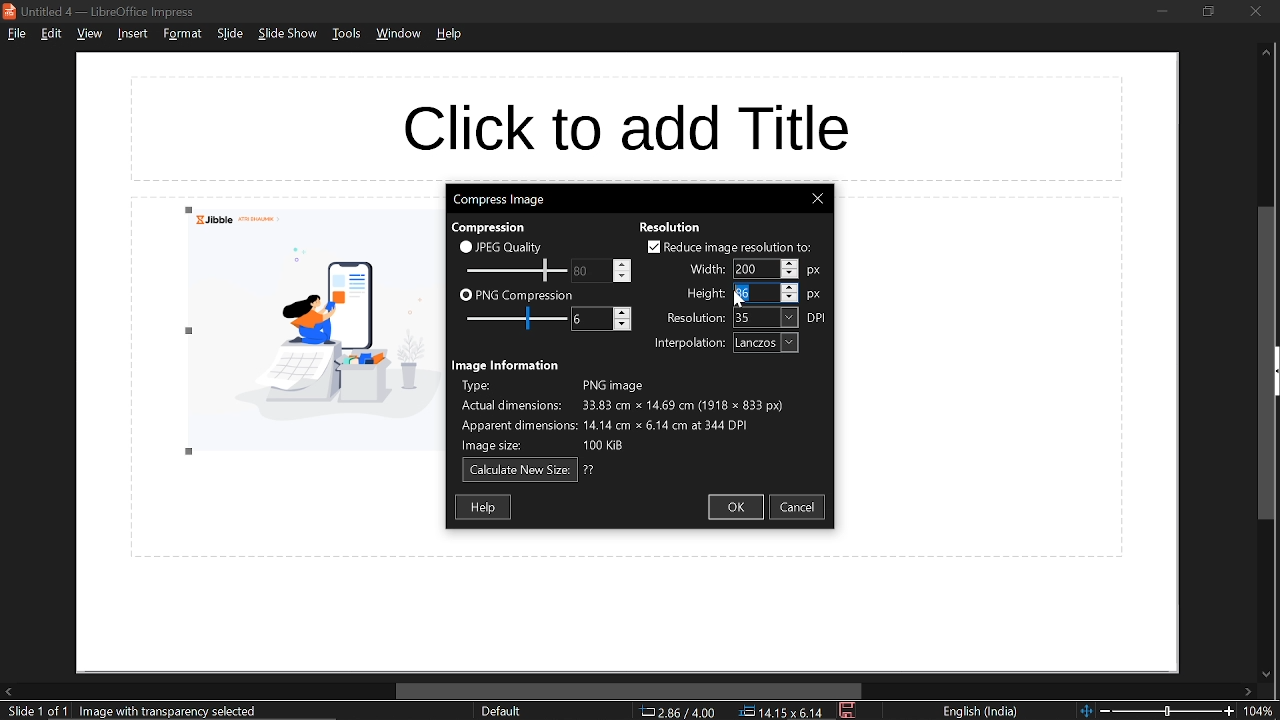 The height and width of the screenshot is (720, 1280). Describe the element at coordinates (703, 268) in the screenshot. I see `width` at that location.